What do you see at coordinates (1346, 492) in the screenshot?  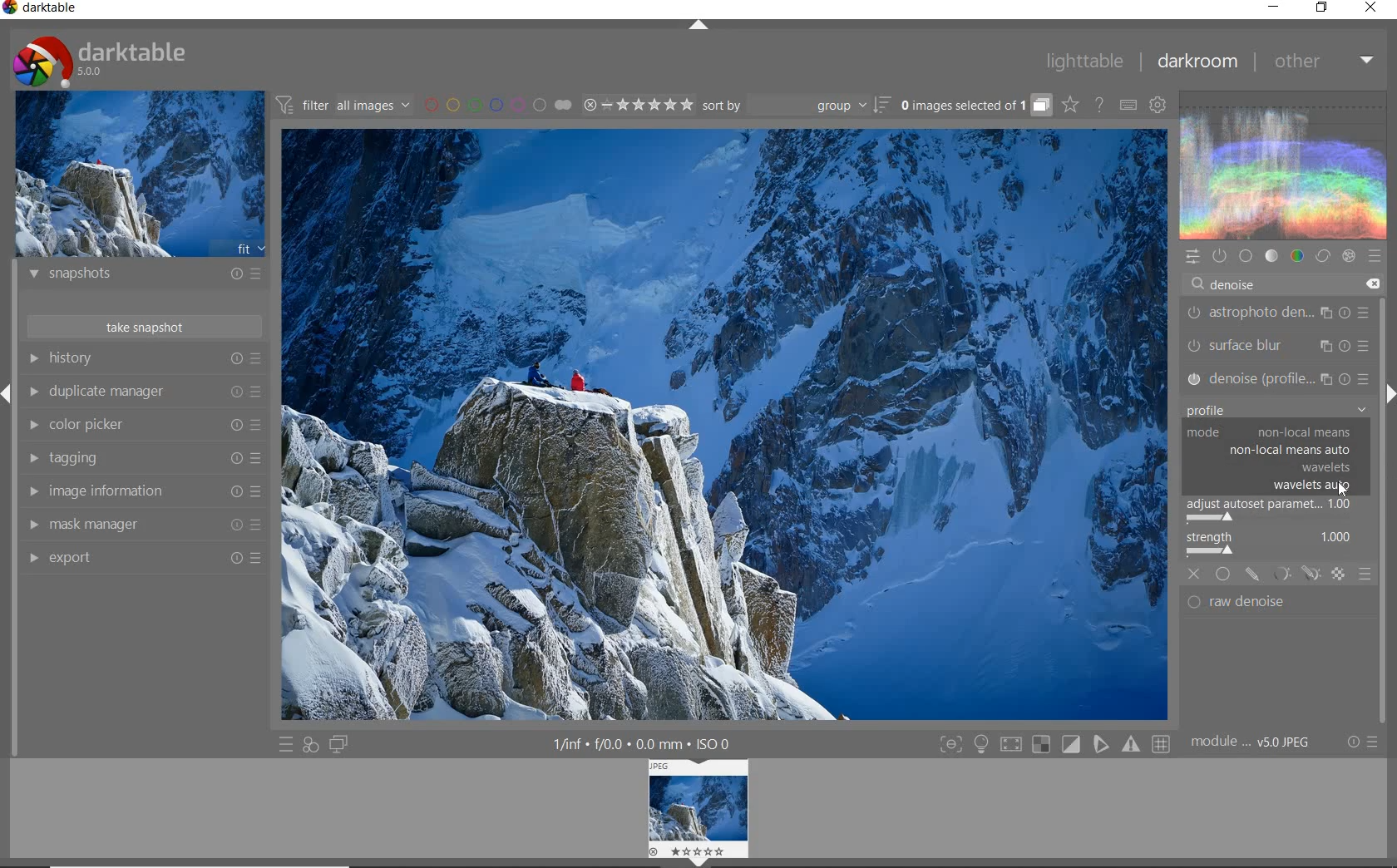 I see `CURSOR` at bounding box center [1346, 492].